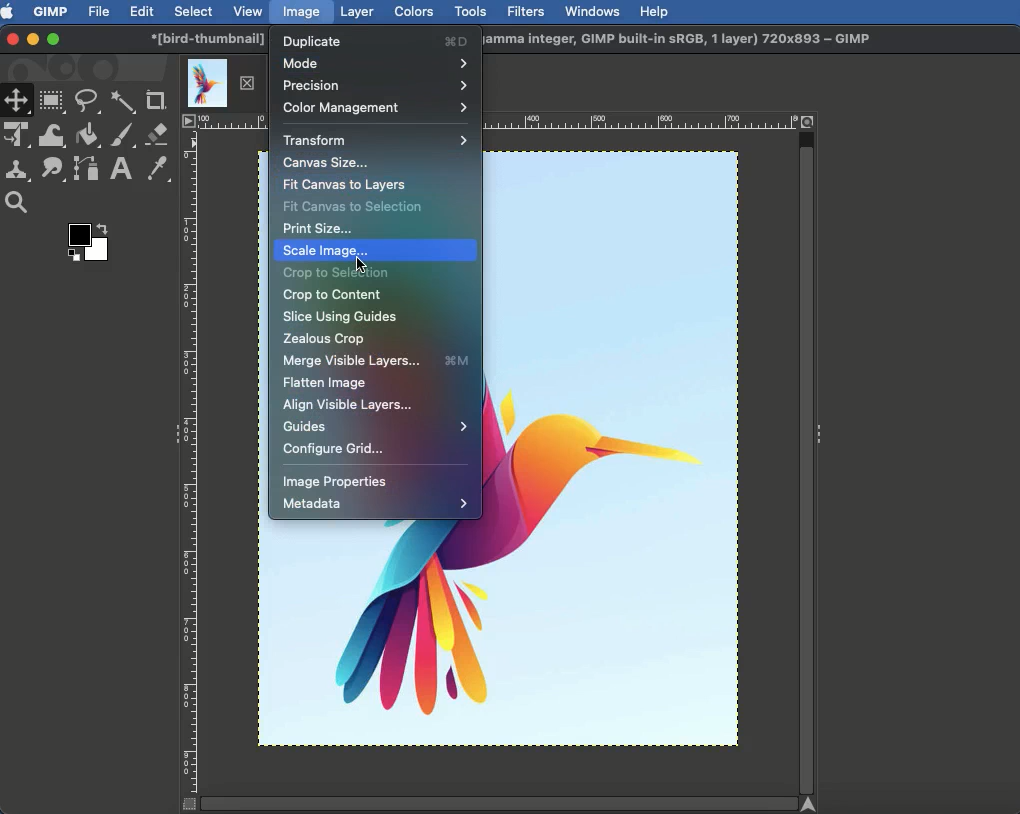 This screenshot has width=1020, height=814. Describe the element at coordinates (656, 12) in the screenshot. I see `Help` at that location.